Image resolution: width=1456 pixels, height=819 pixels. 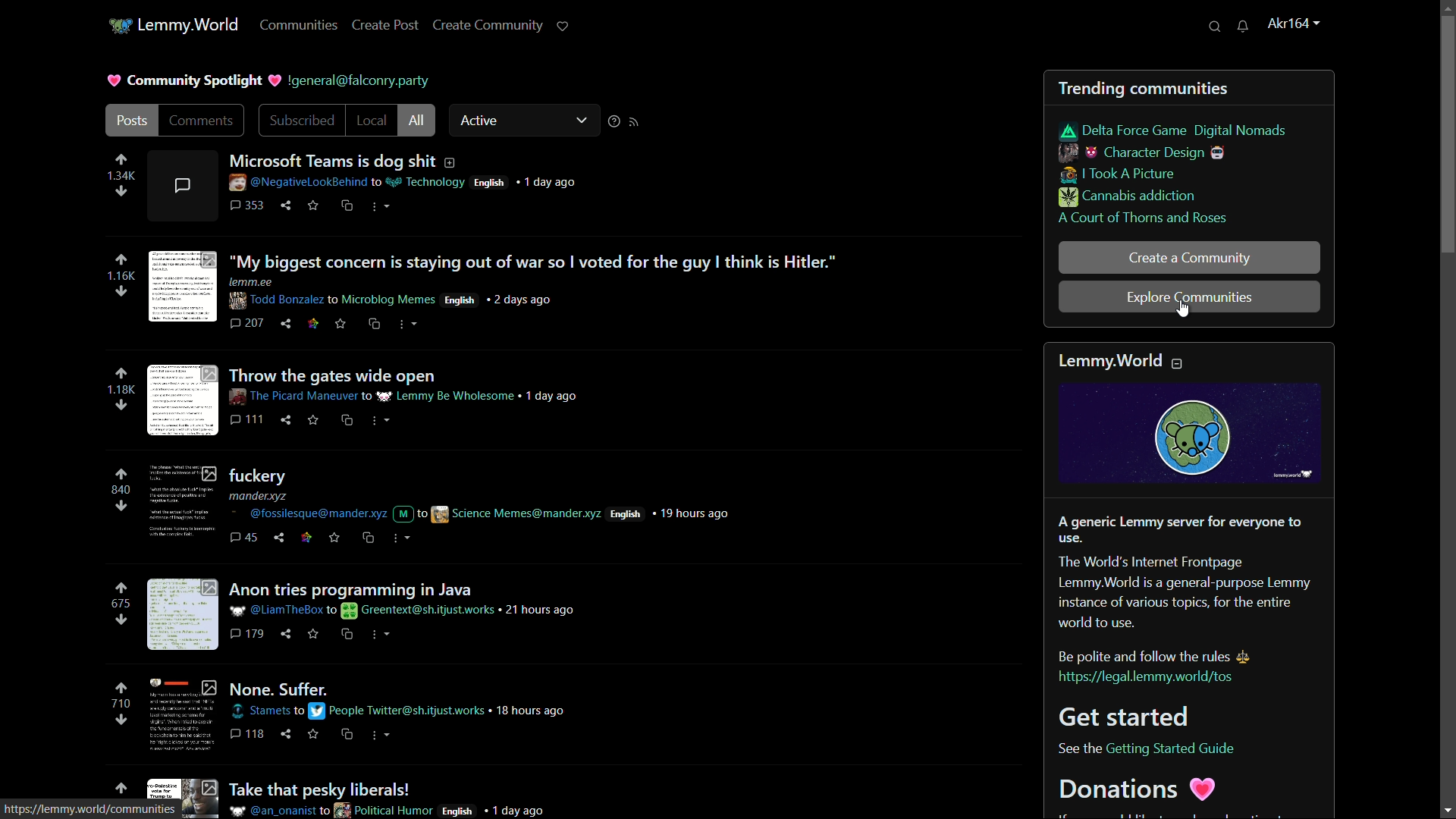 What do you see at coordinates (350, 632) in the screenshot?
I see `cs` at bounding box center [350, 632].